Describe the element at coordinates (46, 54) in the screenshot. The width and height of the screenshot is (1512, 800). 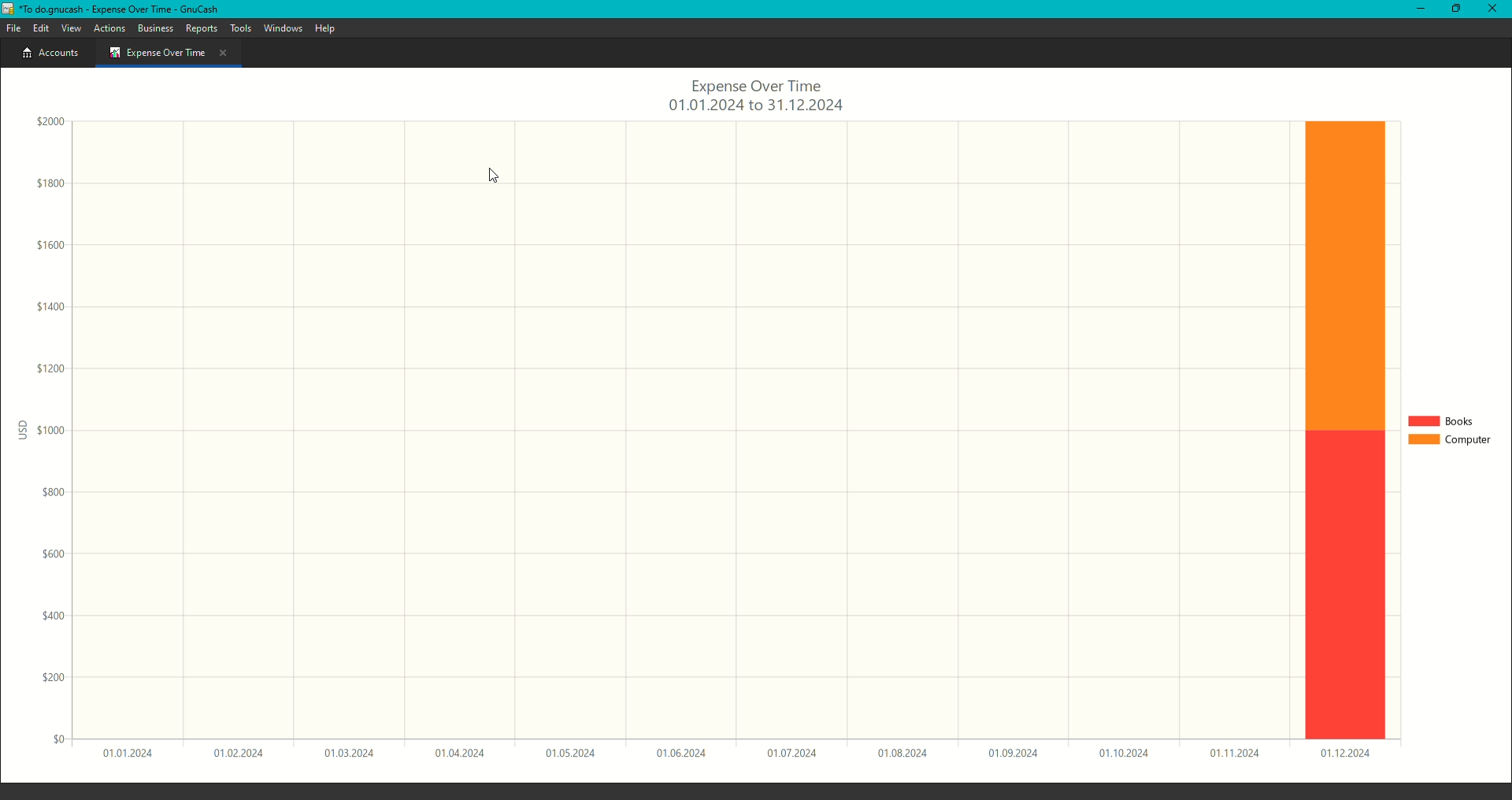
I see `Accounts` at that location.